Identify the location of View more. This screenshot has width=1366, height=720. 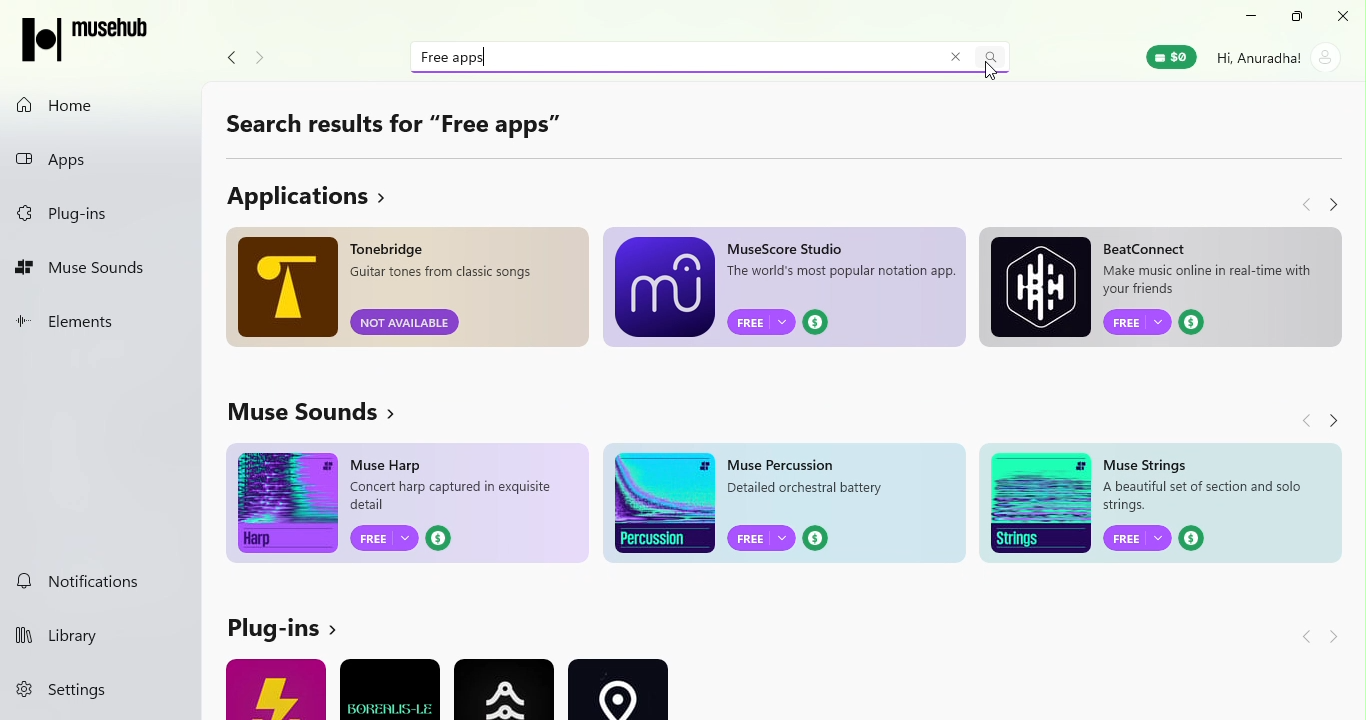
(314, 196).